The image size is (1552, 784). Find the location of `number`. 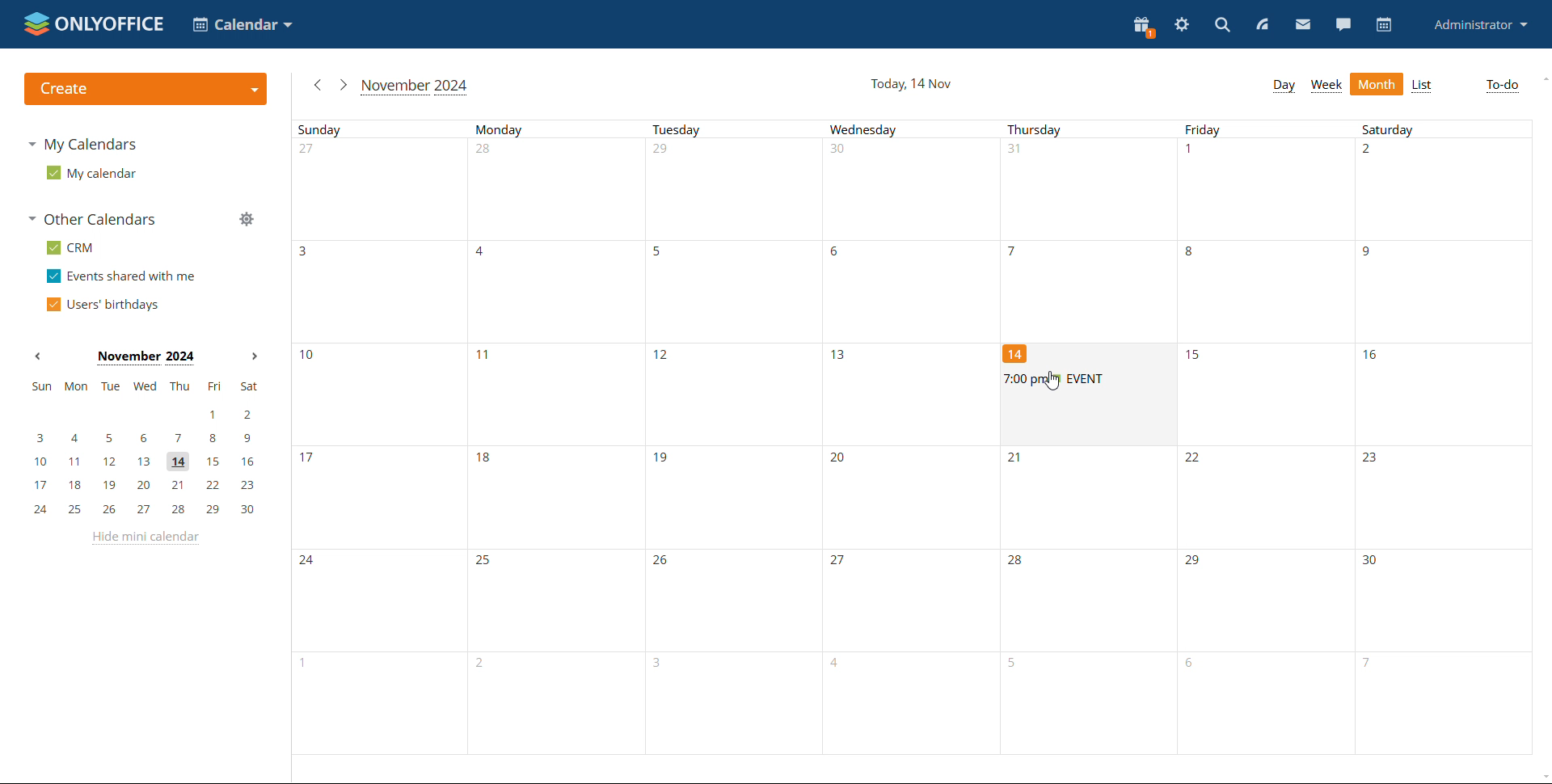

number is located at coordinates (484, 561).